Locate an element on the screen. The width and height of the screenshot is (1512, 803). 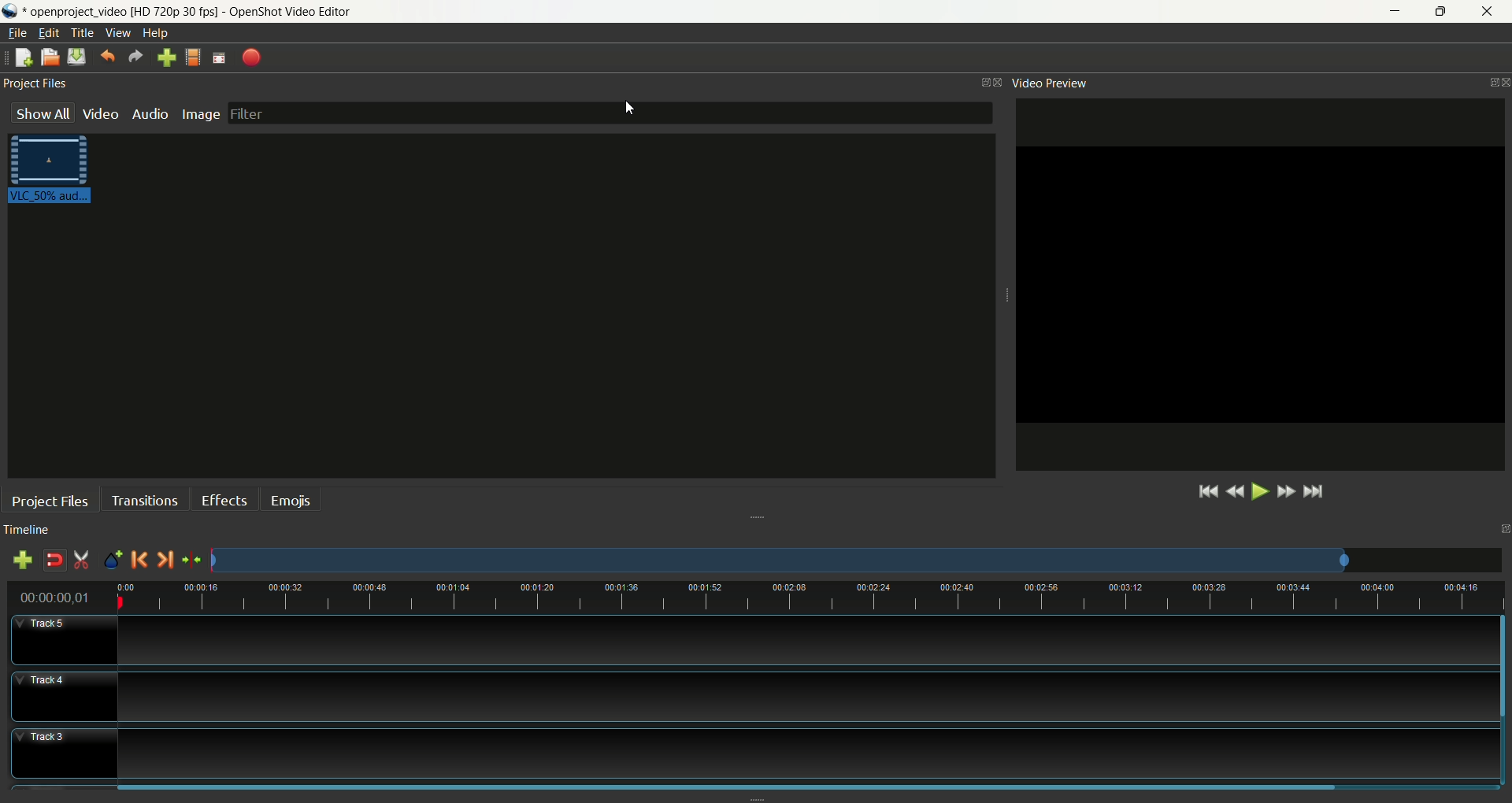
audio is located at coordinates (150, 113).